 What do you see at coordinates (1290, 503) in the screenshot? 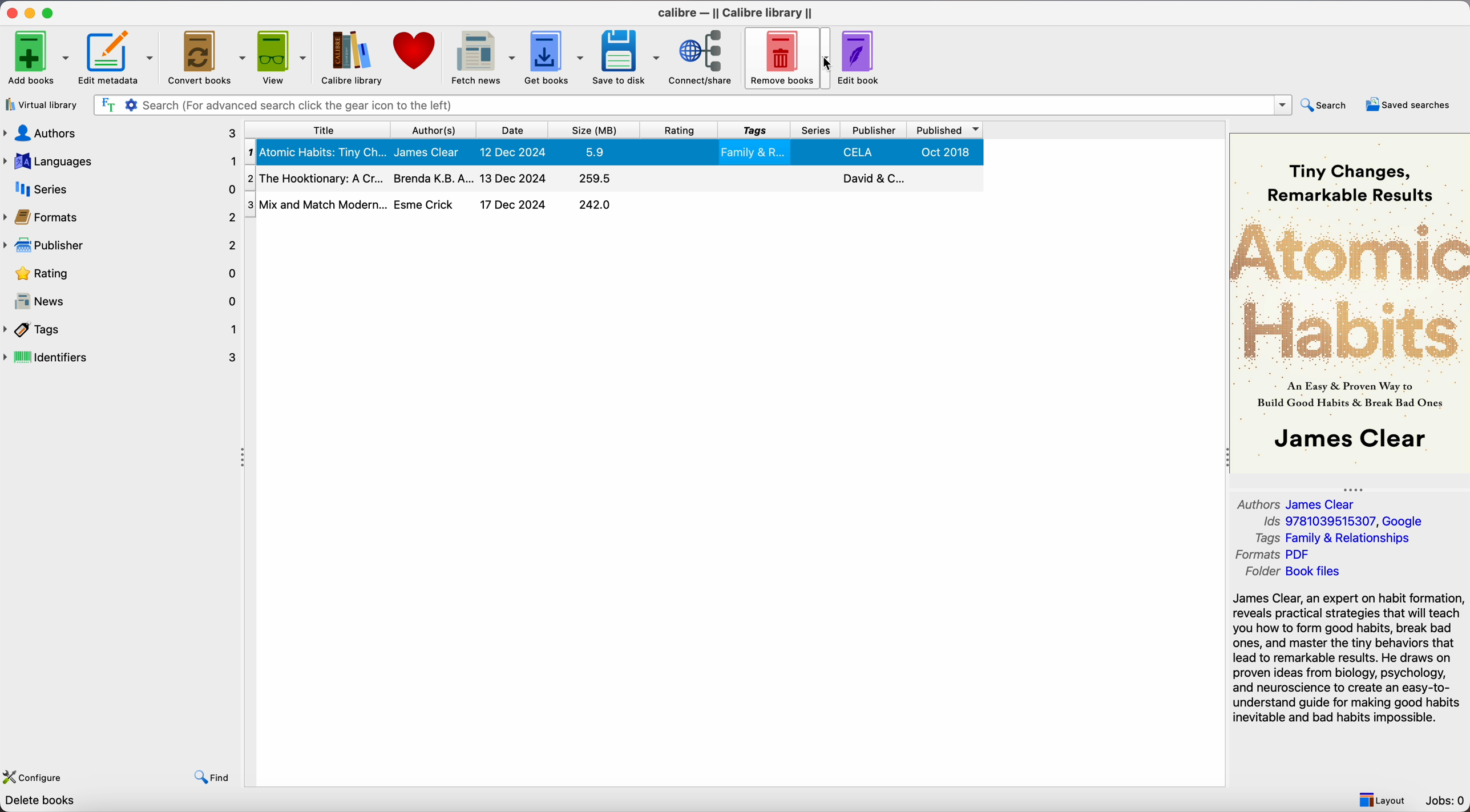
I see `Authors James Clear` at bounding box center [1290, 503].